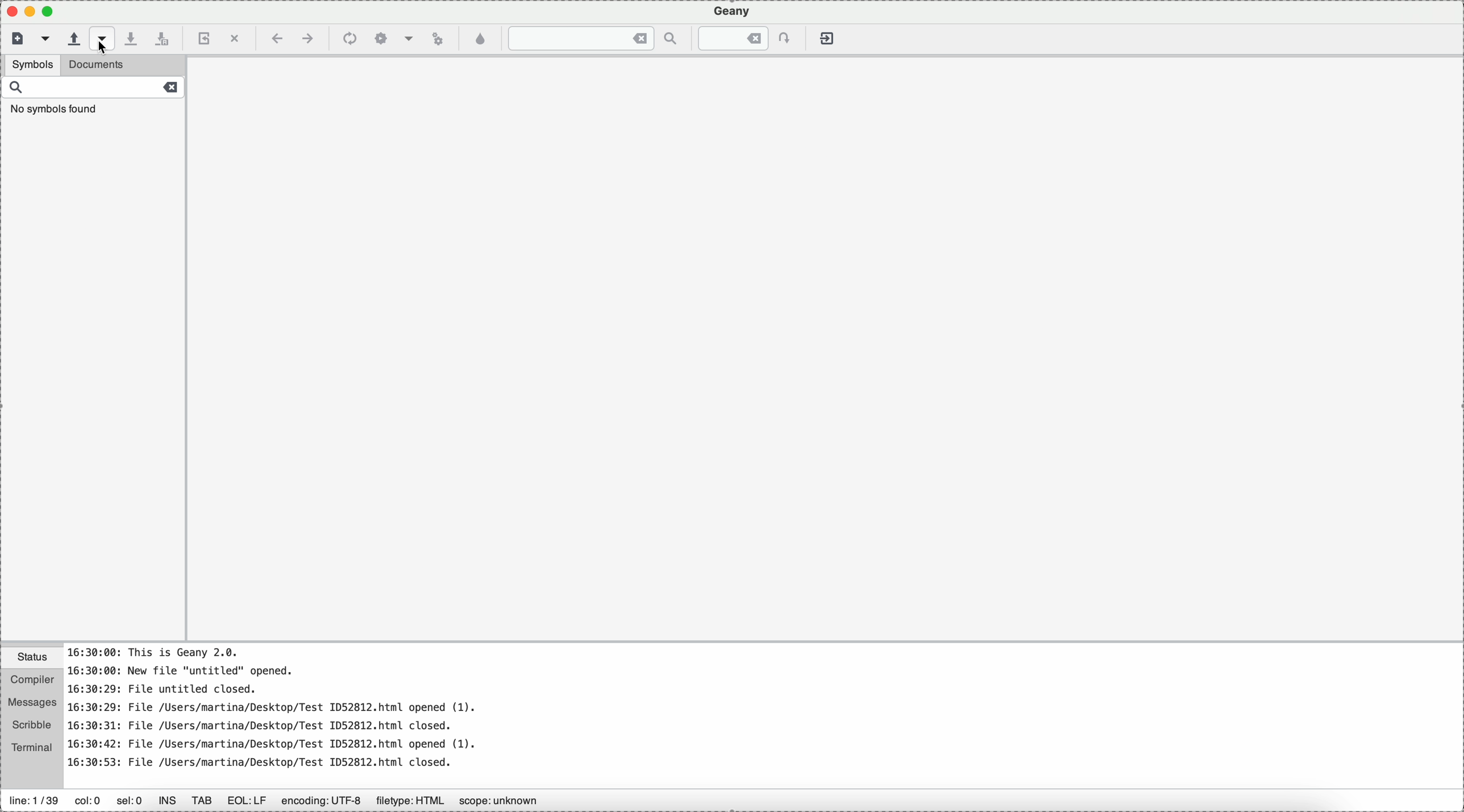  What do you see at coordinates (73, 38) in the screenshot?
I see `open an existing file` at bounding box center [73, 38].